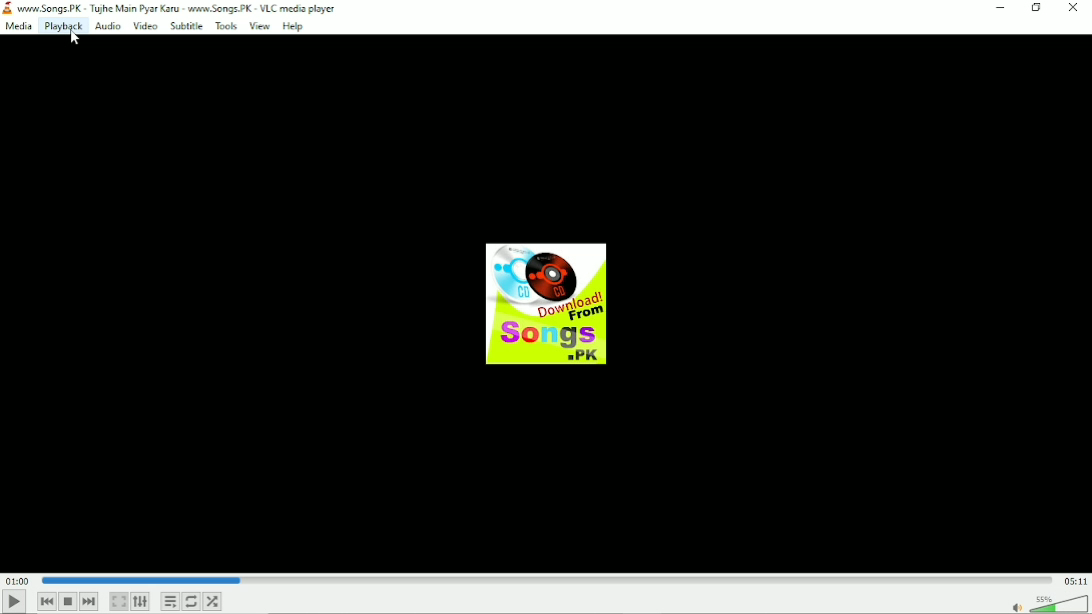 The image size is (1092, 614). Describe the element at coordinates (63, 26) in the screenshot. I see `Playback` at that location.